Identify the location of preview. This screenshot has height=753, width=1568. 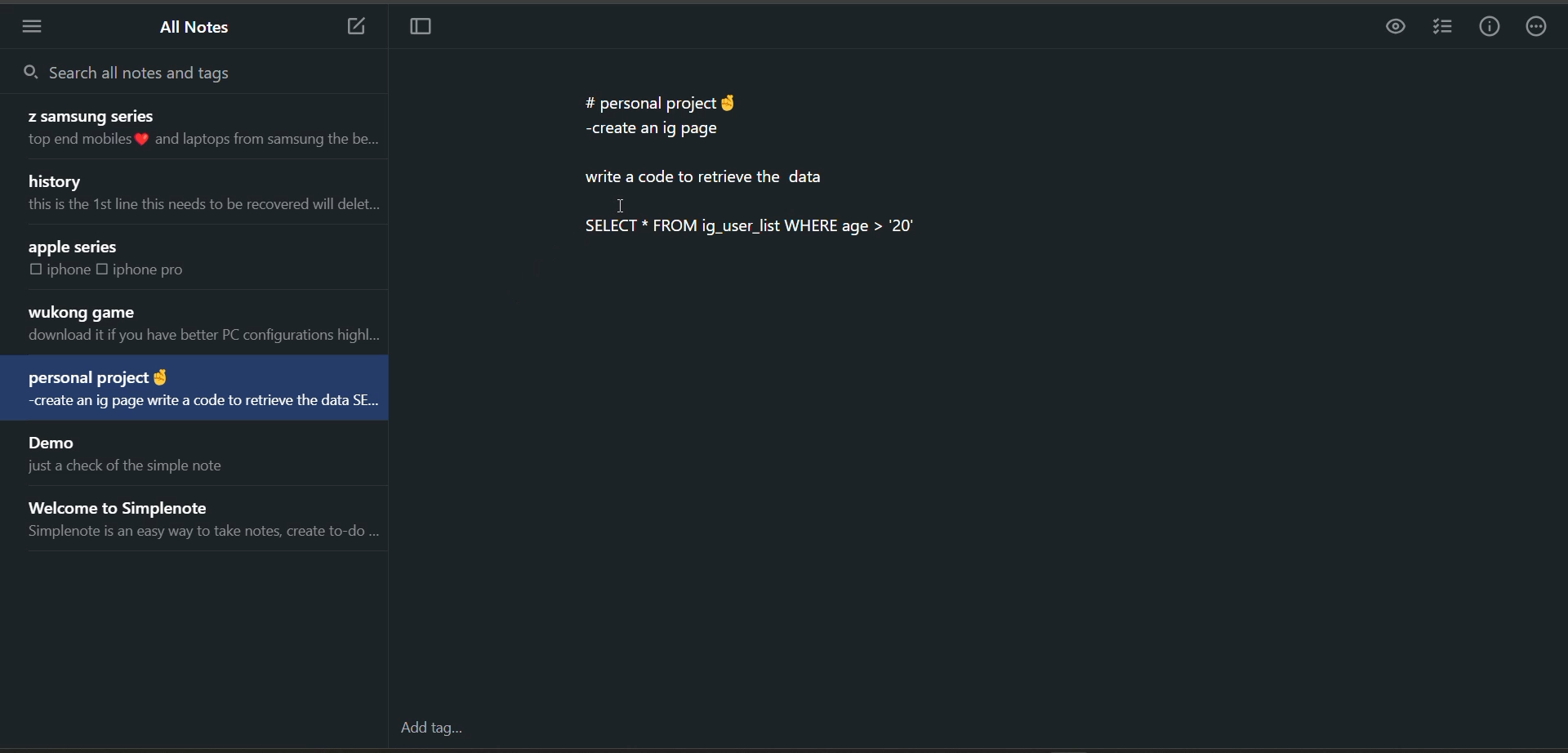
(1392, 28).